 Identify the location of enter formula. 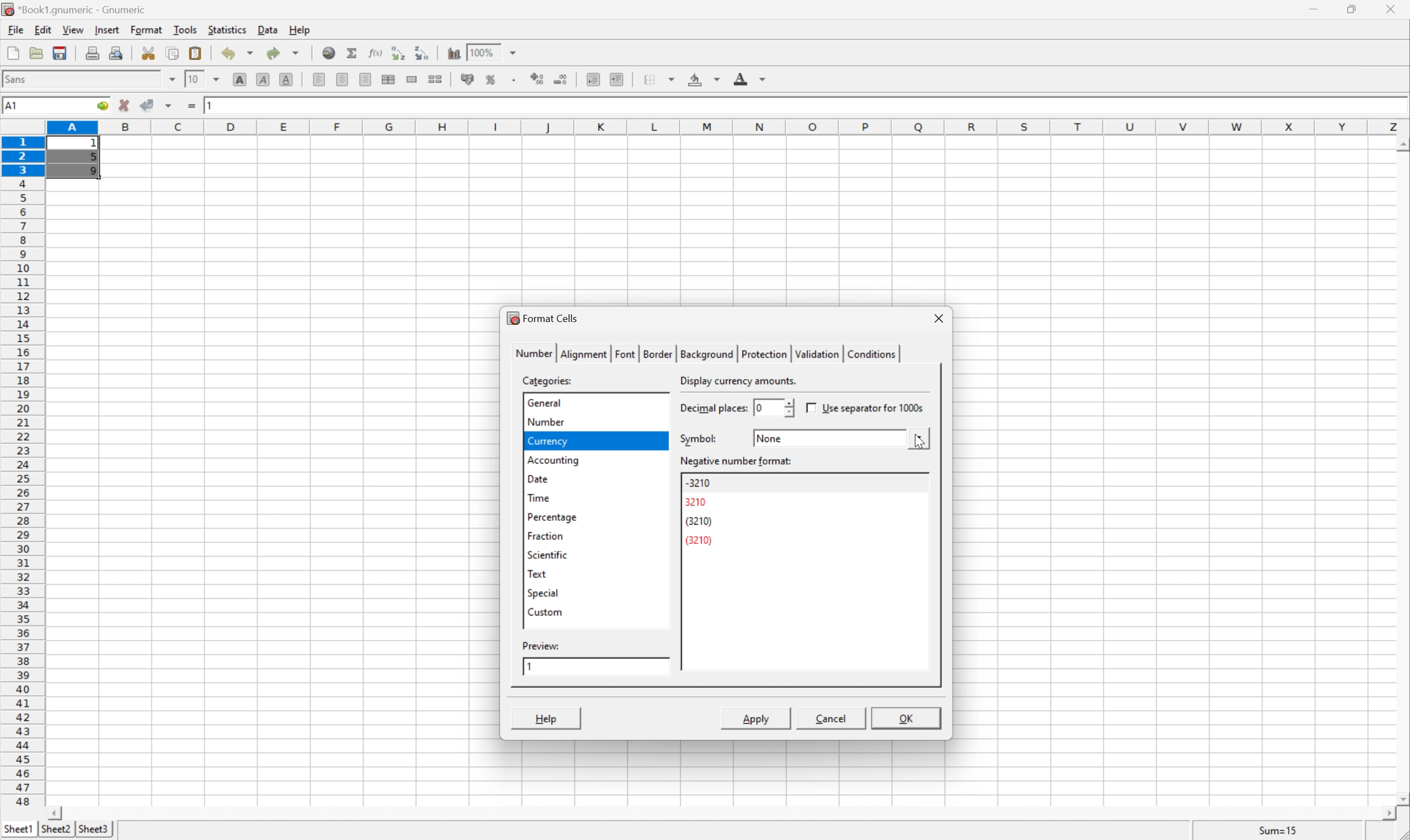
(192, 106).